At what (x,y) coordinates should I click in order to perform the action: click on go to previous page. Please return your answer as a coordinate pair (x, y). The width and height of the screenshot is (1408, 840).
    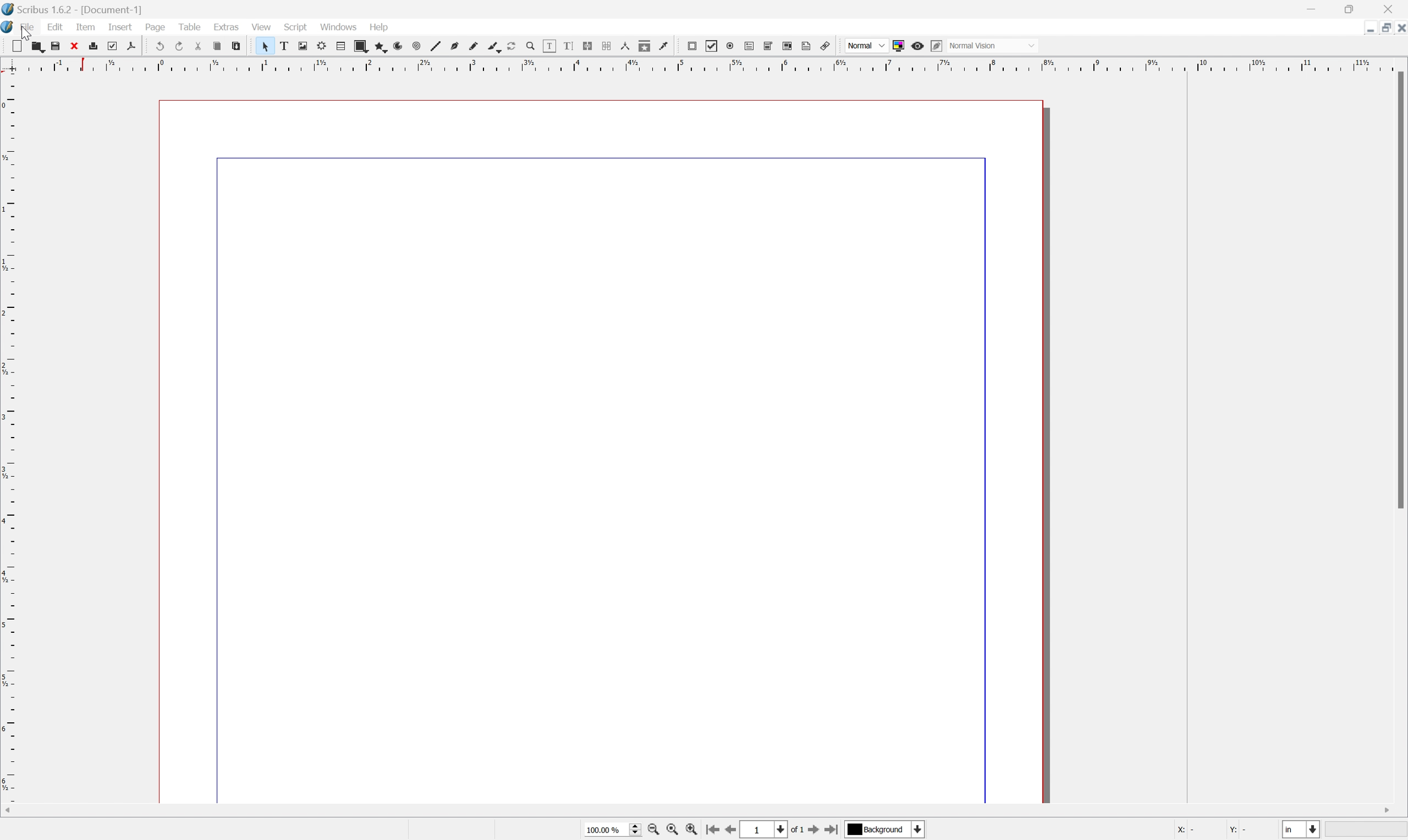
    Looking at the image, I should click on (733, 831).